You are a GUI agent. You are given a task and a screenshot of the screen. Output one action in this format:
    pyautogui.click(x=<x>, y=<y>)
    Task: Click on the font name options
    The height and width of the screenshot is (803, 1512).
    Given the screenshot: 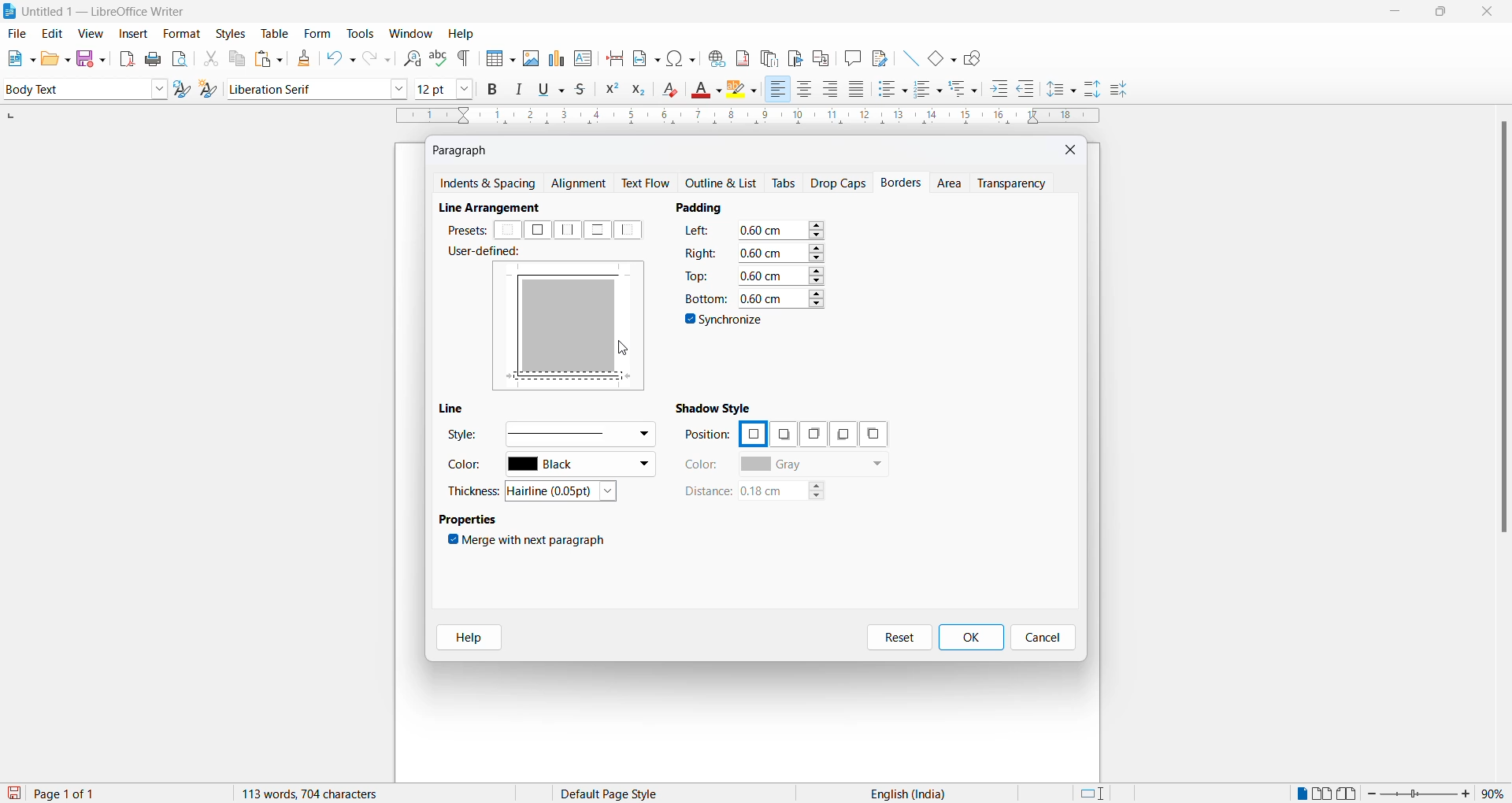 What is the action you would take?
    pyautogui.click(x=399, y=88)
    